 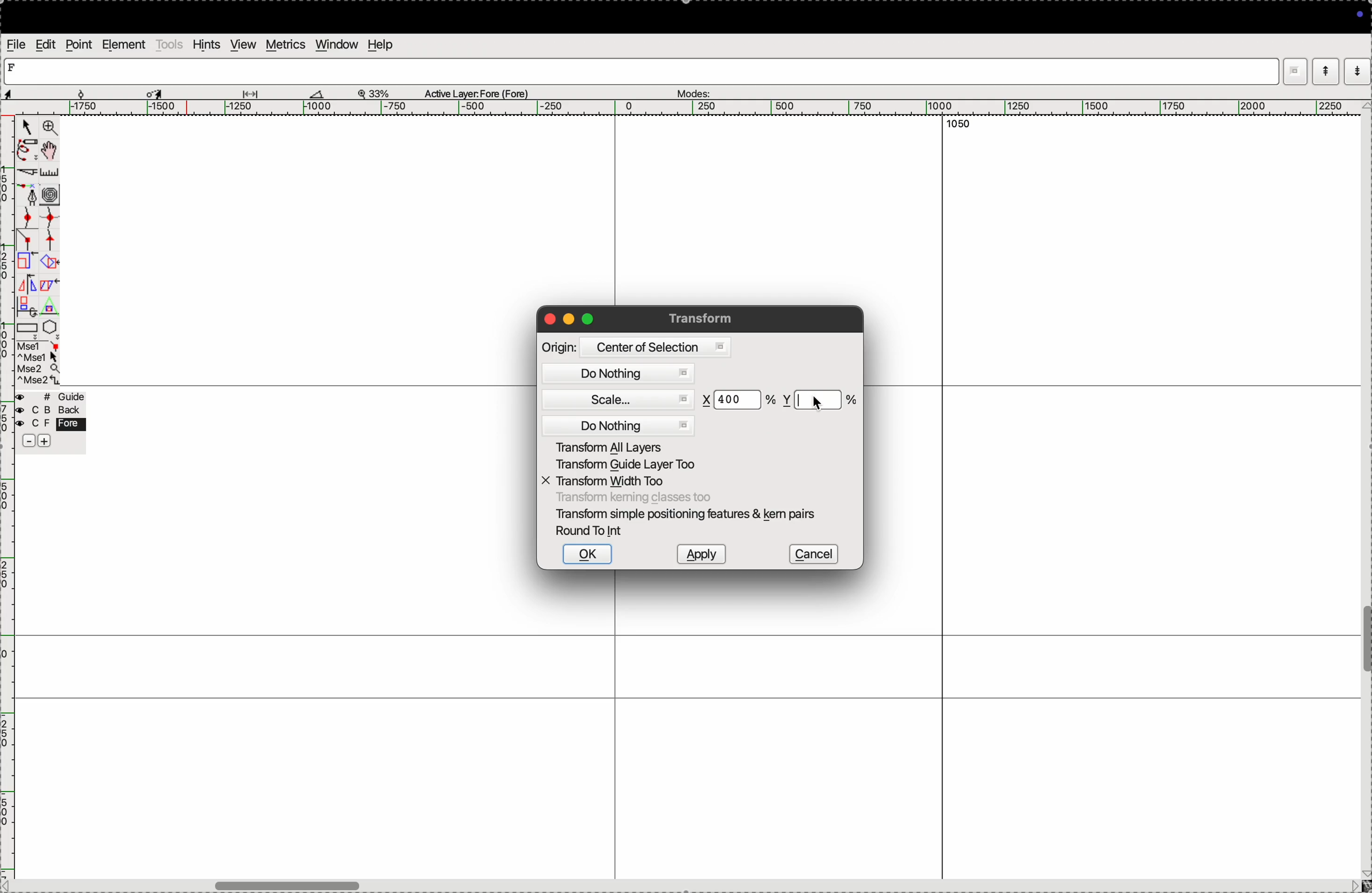 I want to click on metrics, so click(x=287, y=44).